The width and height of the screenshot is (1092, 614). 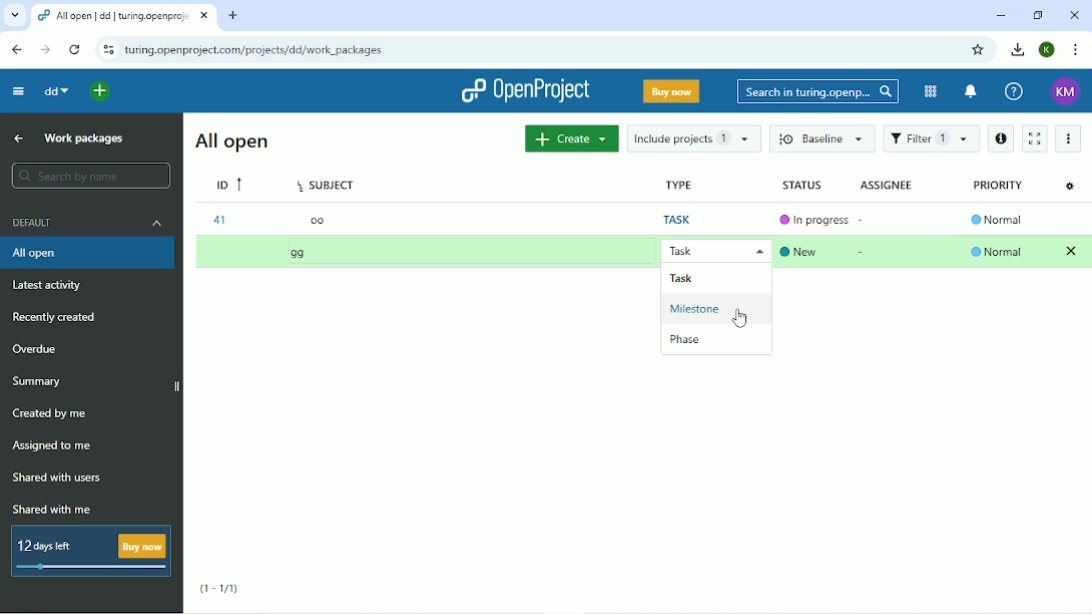 I want to click on K, so click(x=1046, y=50).